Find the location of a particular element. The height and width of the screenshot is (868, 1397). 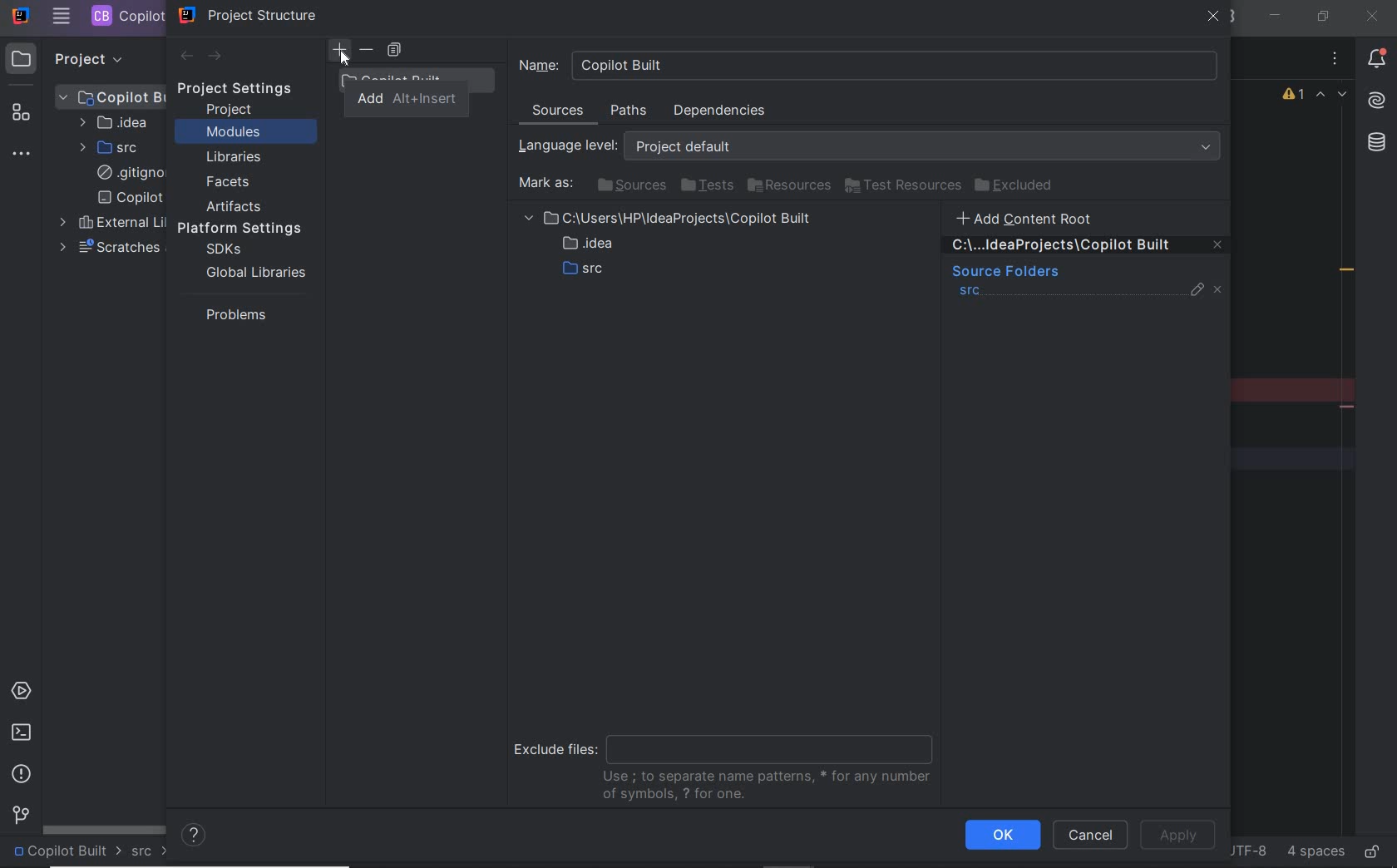

cancel is located at coordinates (1090, 836).